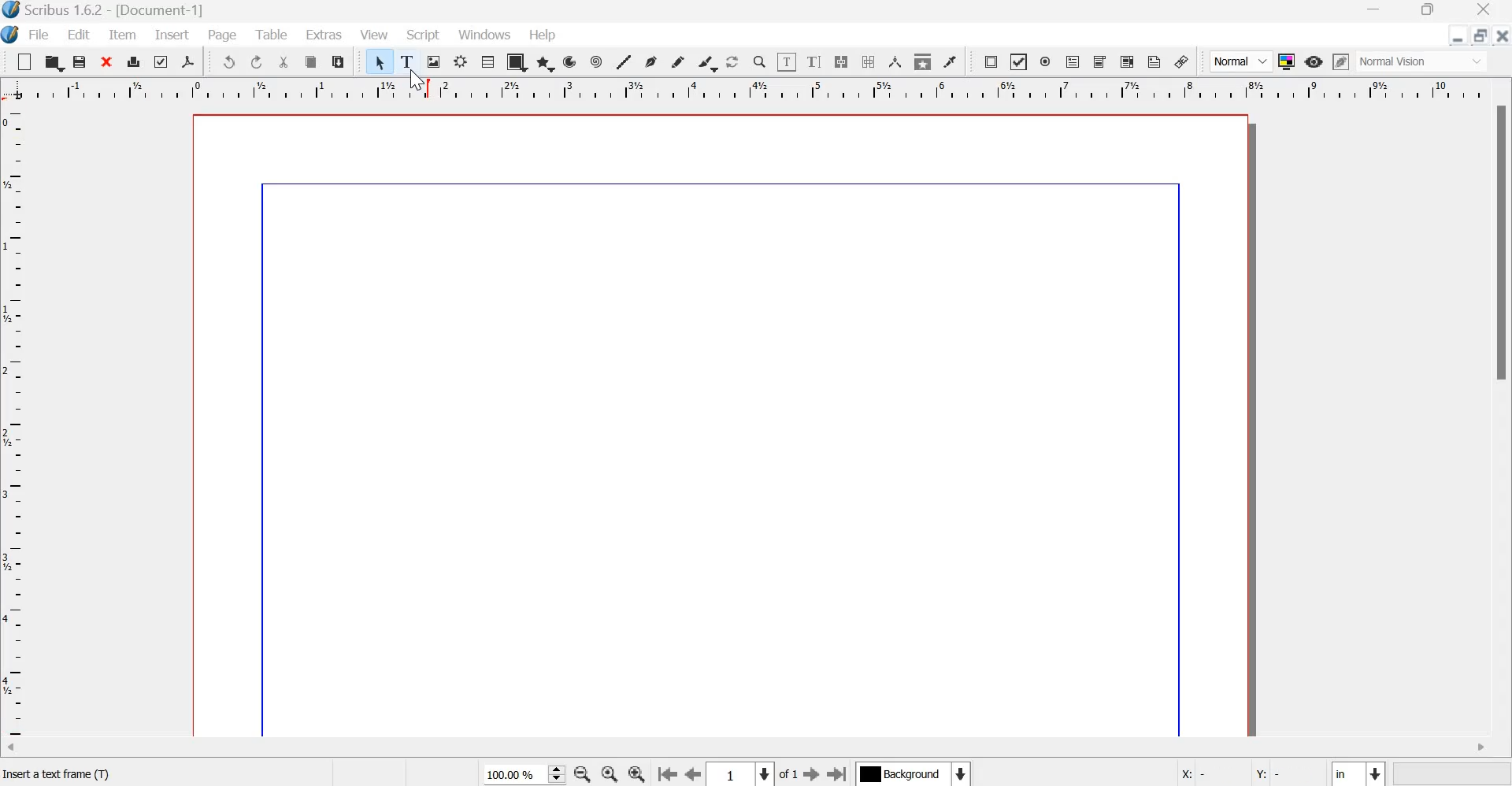 This screenshot has height=786, width=1512. What do you see at coordinates (1128, 61) in the screenshot?
I see `PDF list box` at bounding box center [1128, 61].